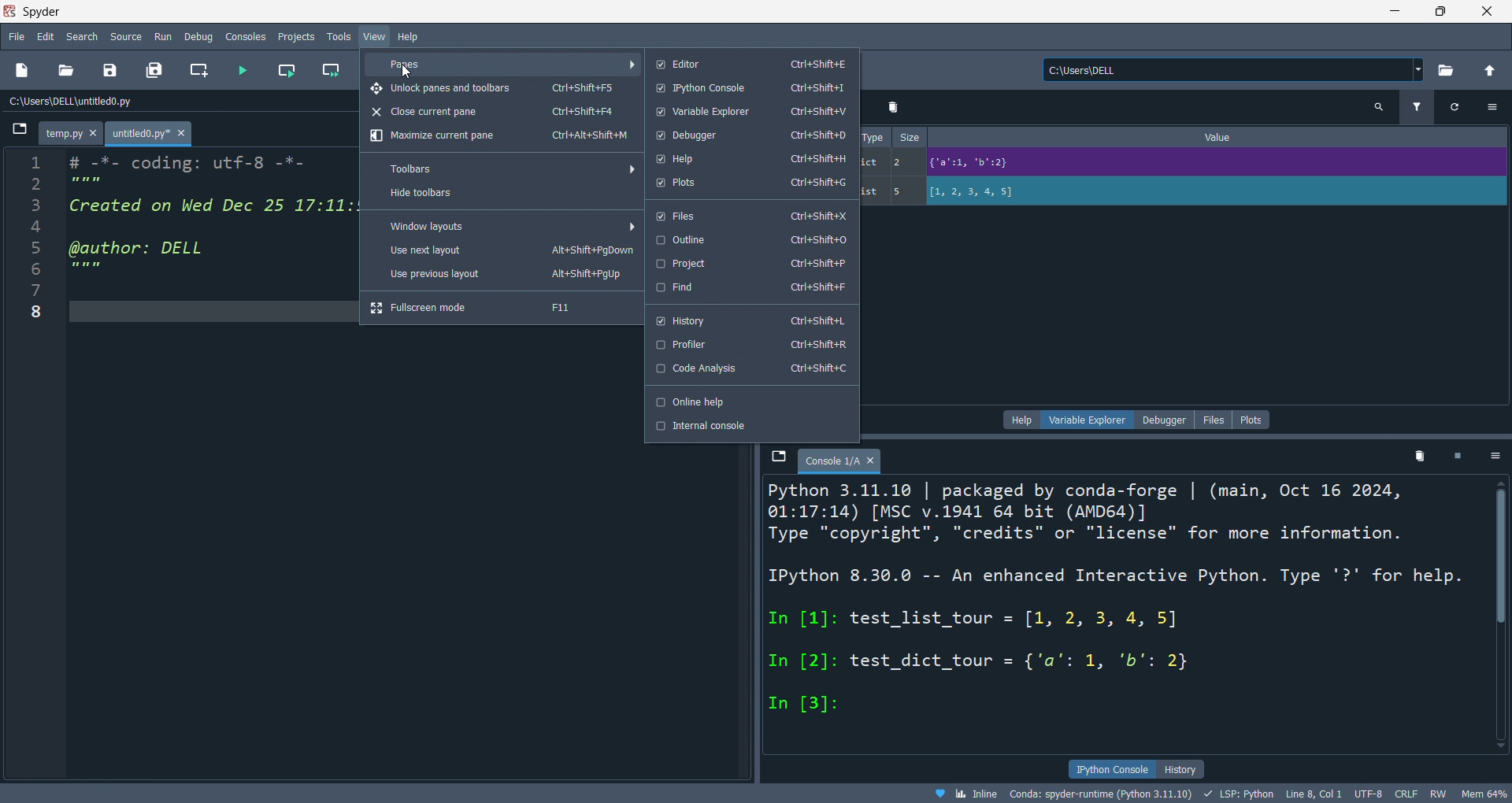 The height and width of the screenshot is (803, 1512). Describe the element at coordinates (405, 72) in the screenshot. I see `cursor` at that location.